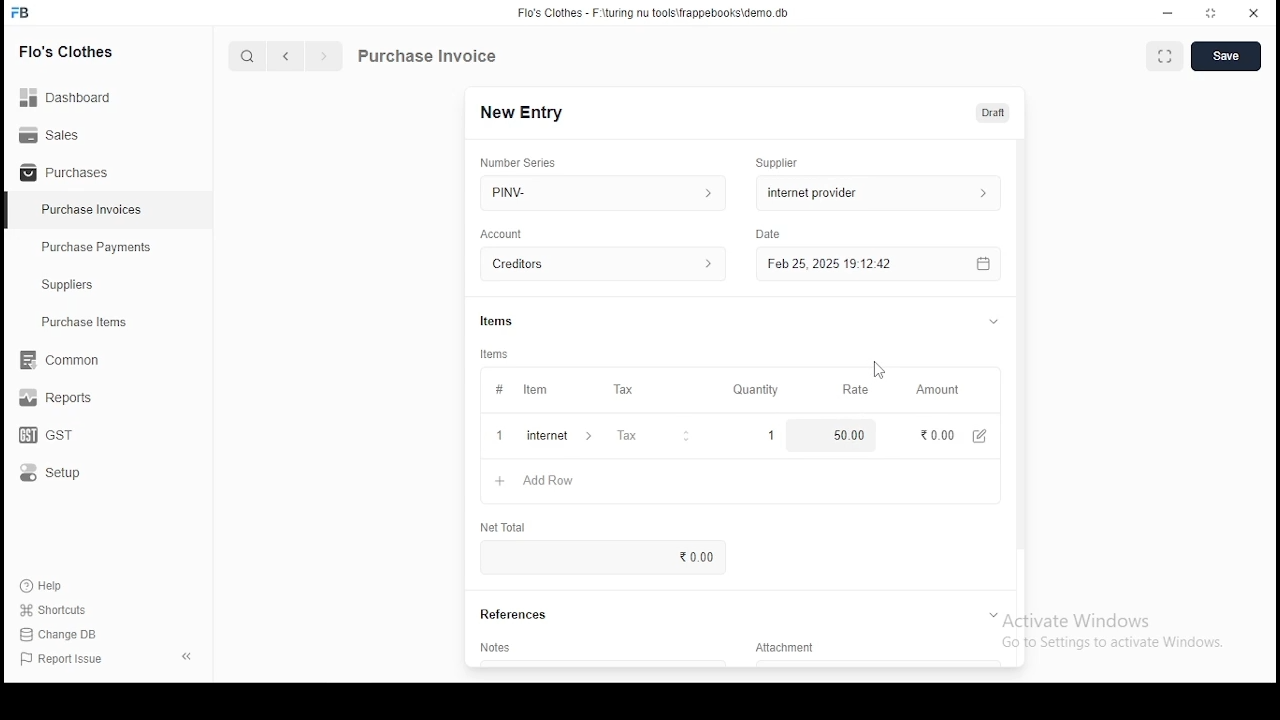 This screenshot has height=720, width=1280. What do you see at coordinates (923, 435) in the screenshot?
I see `0.00` at bounding box center [923, 435].